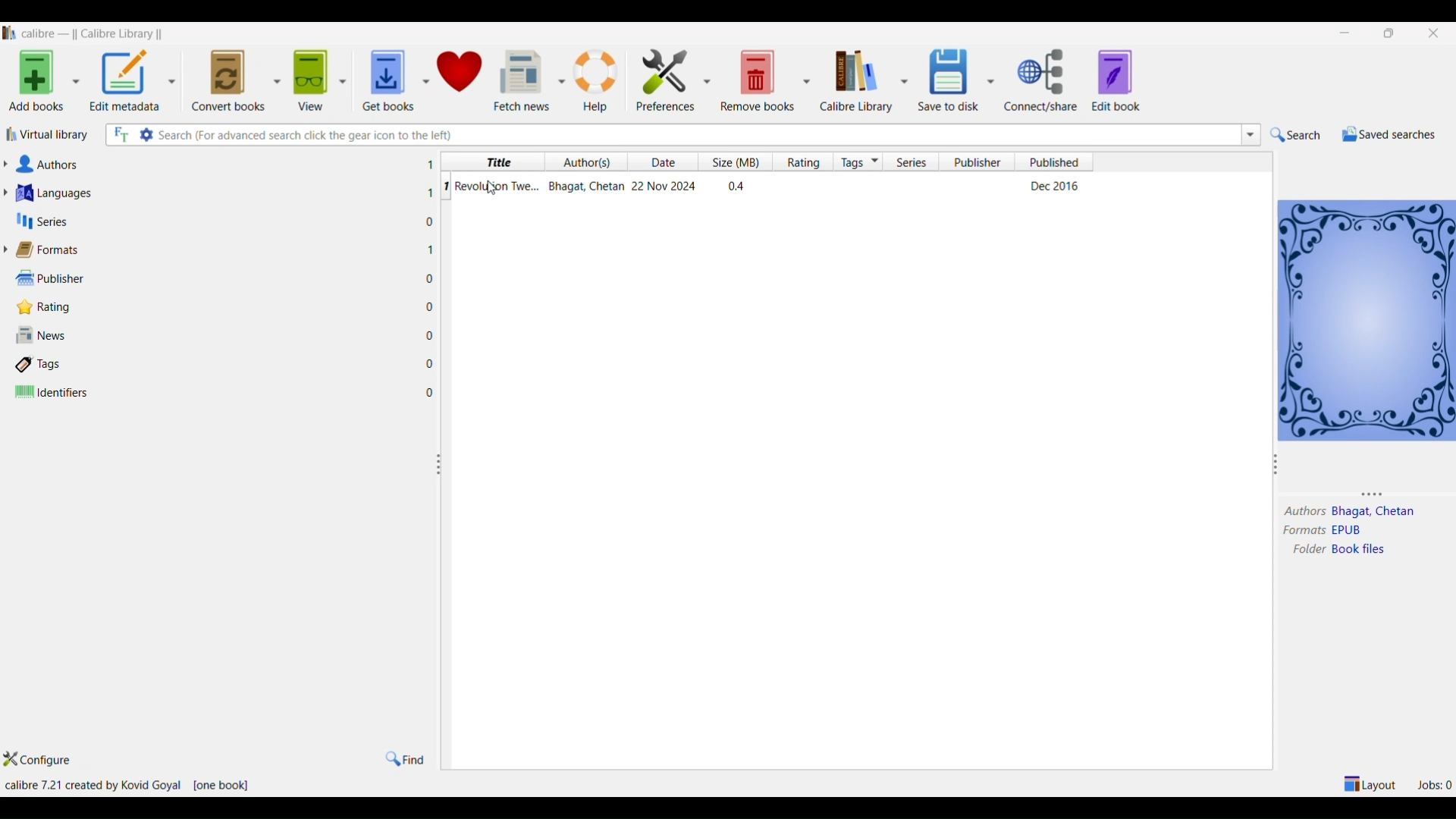  Describe the element at coordinates (807, 79) in the screenshot. I see `remove books options dropdown button` at that location.